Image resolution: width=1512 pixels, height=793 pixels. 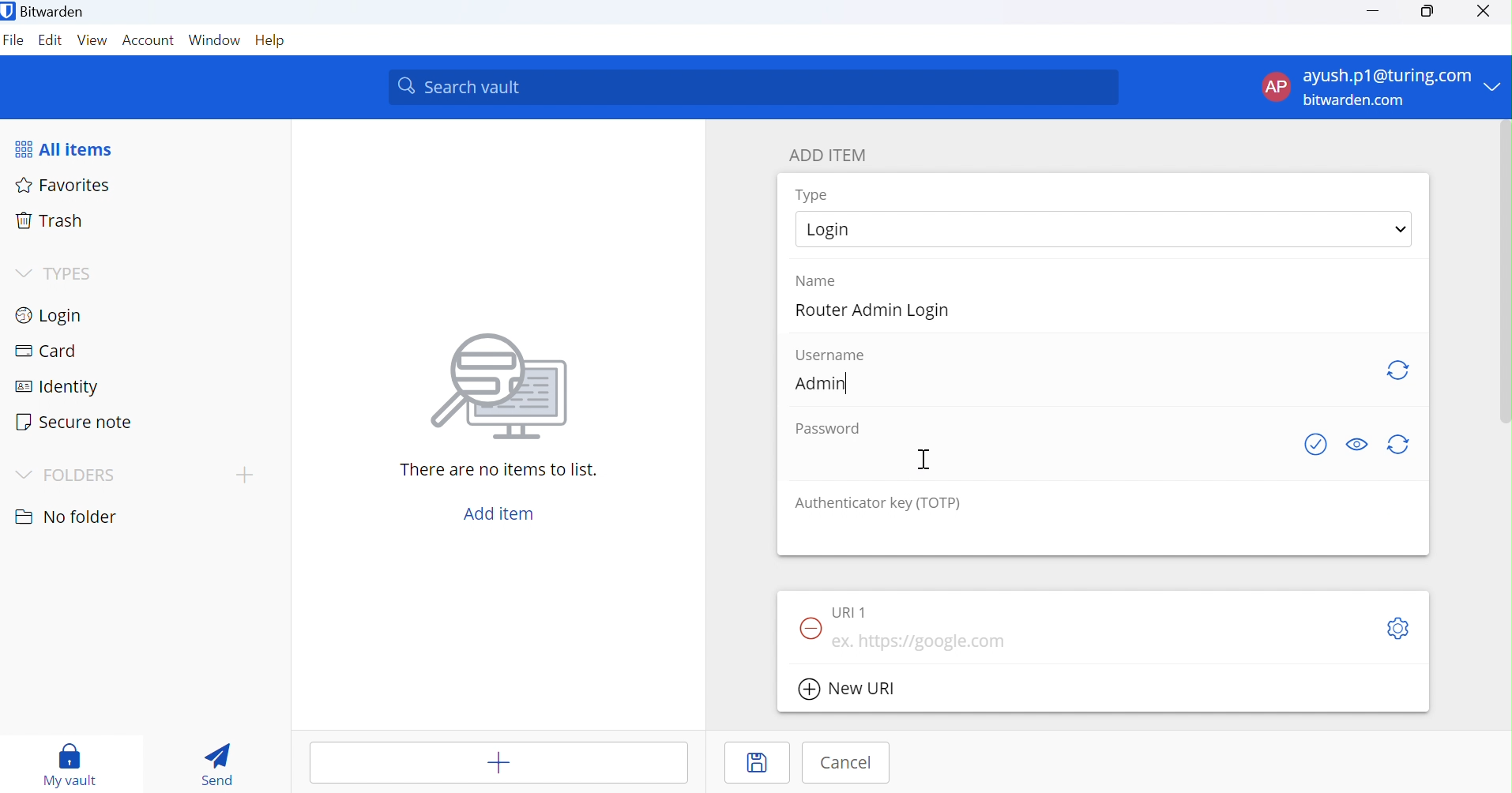 I want to click on Account, so click(x=149, y=41).